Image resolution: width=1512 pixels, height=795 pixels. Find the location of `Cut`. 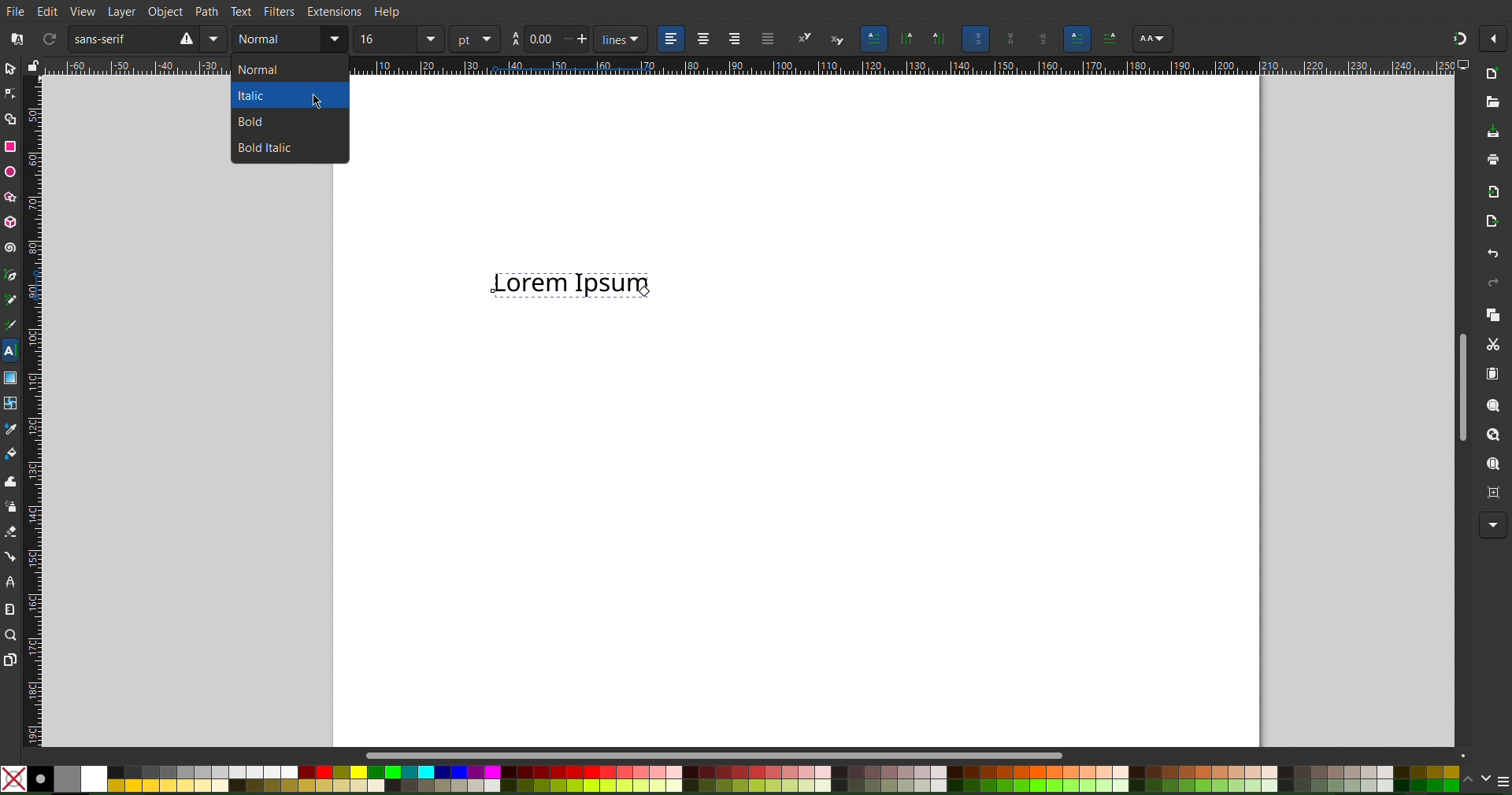

Cut is located at coordinates (1494, 346).